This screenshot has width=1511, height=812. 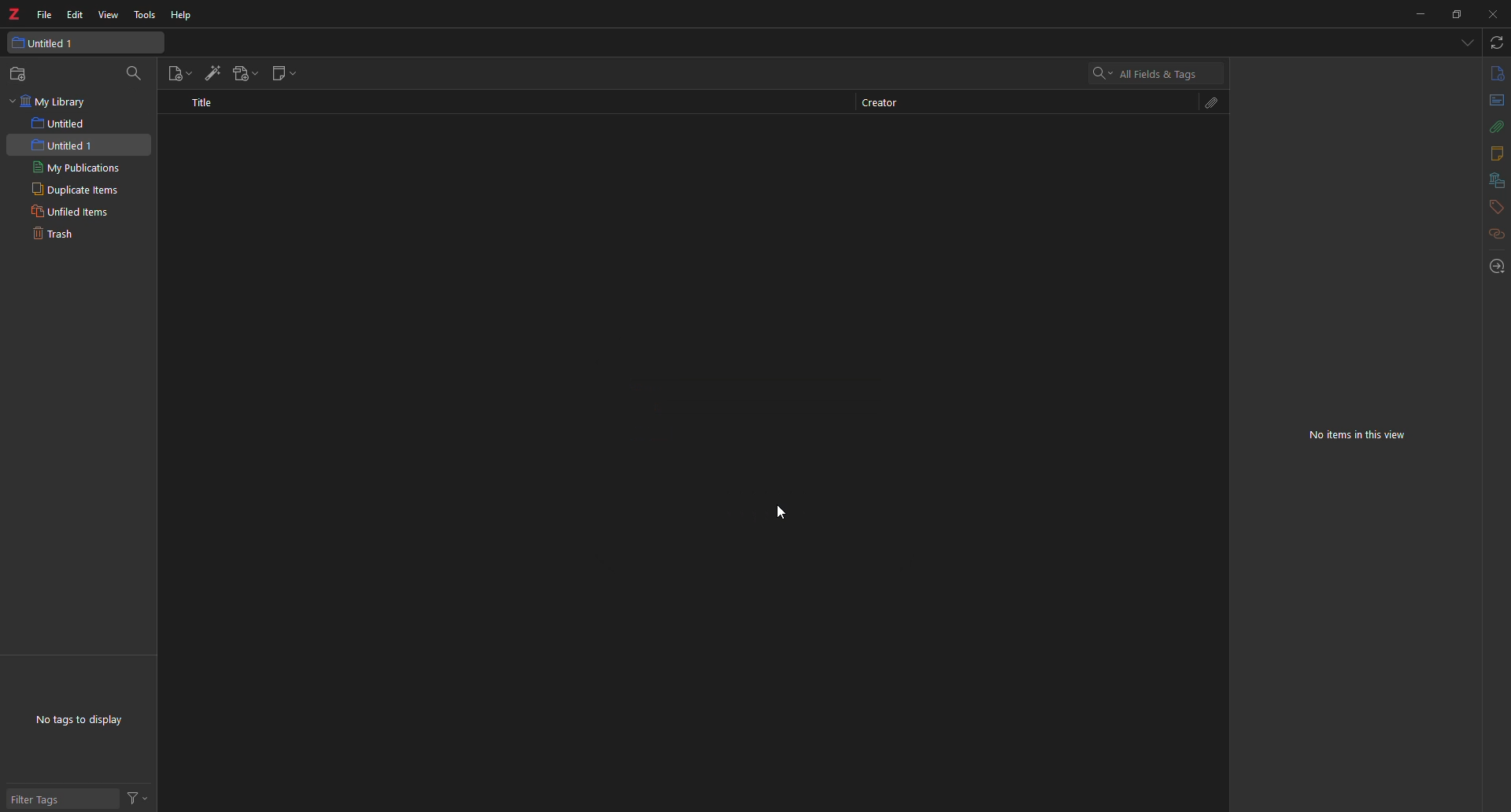 What do you see at coordinates (205, 101) in the screenshot?
I see `title` at bounding box center [205, 101].